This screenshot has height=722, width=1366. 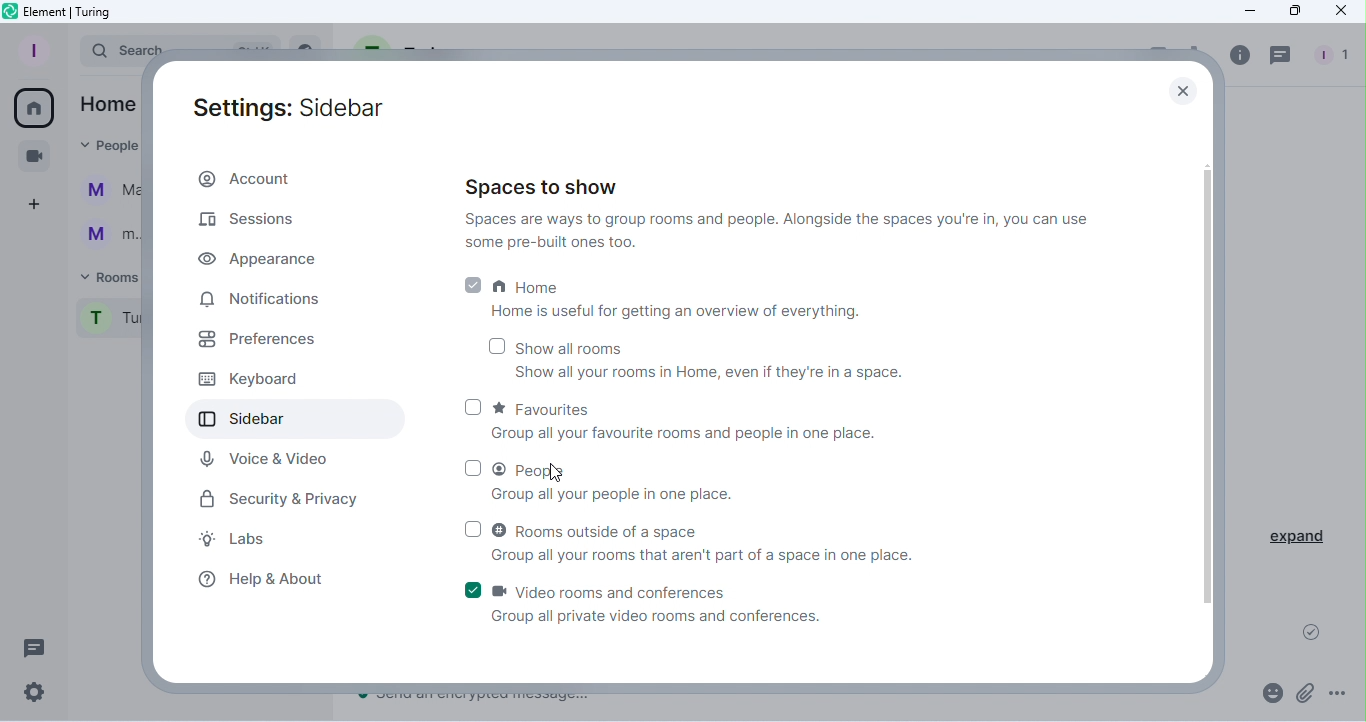 I want to click on People, so click(x=108, y=149).